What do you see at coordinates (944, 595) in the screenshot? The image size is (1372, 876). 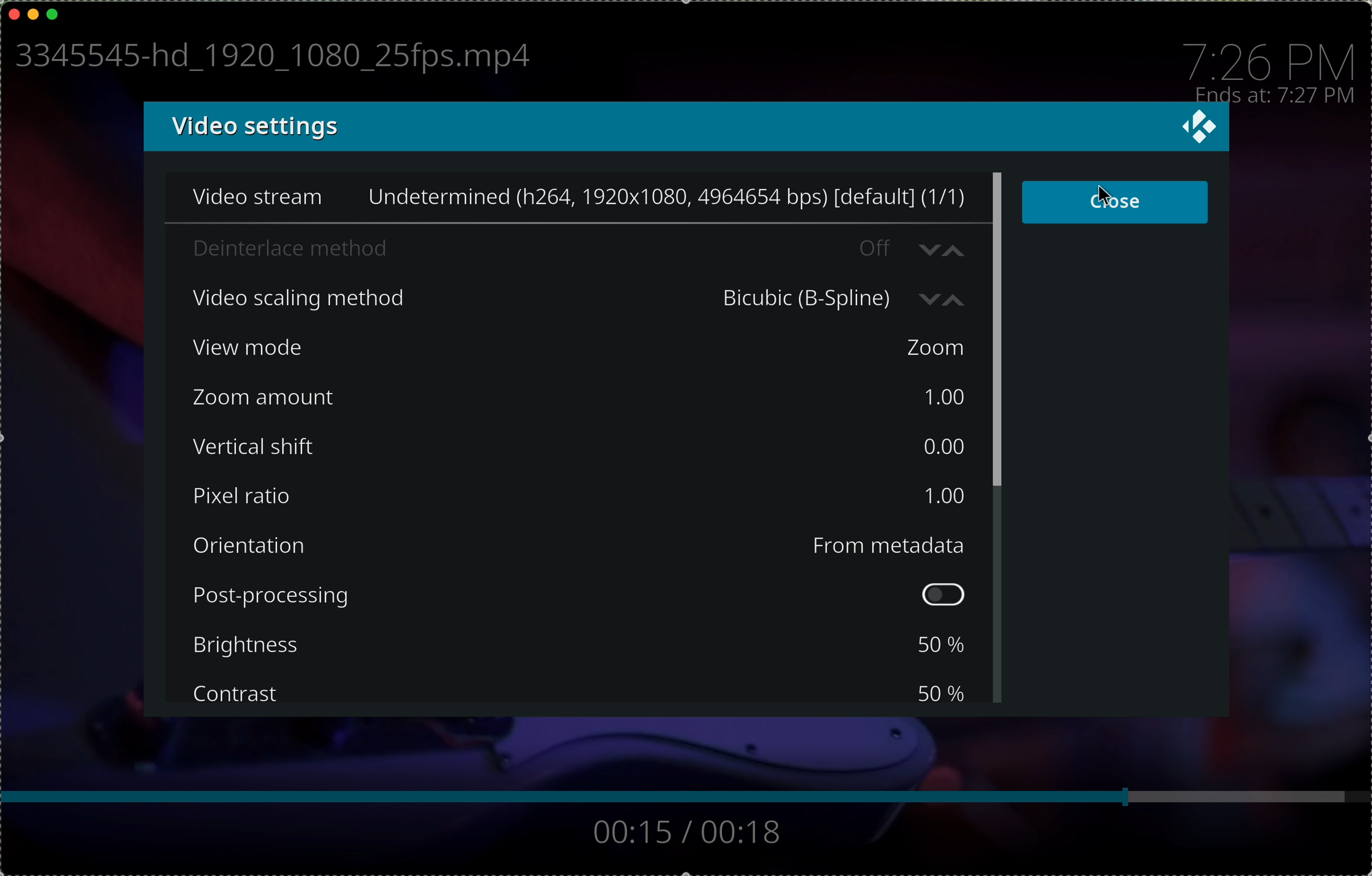 I see `toggle` at bounding box center [944, 595].